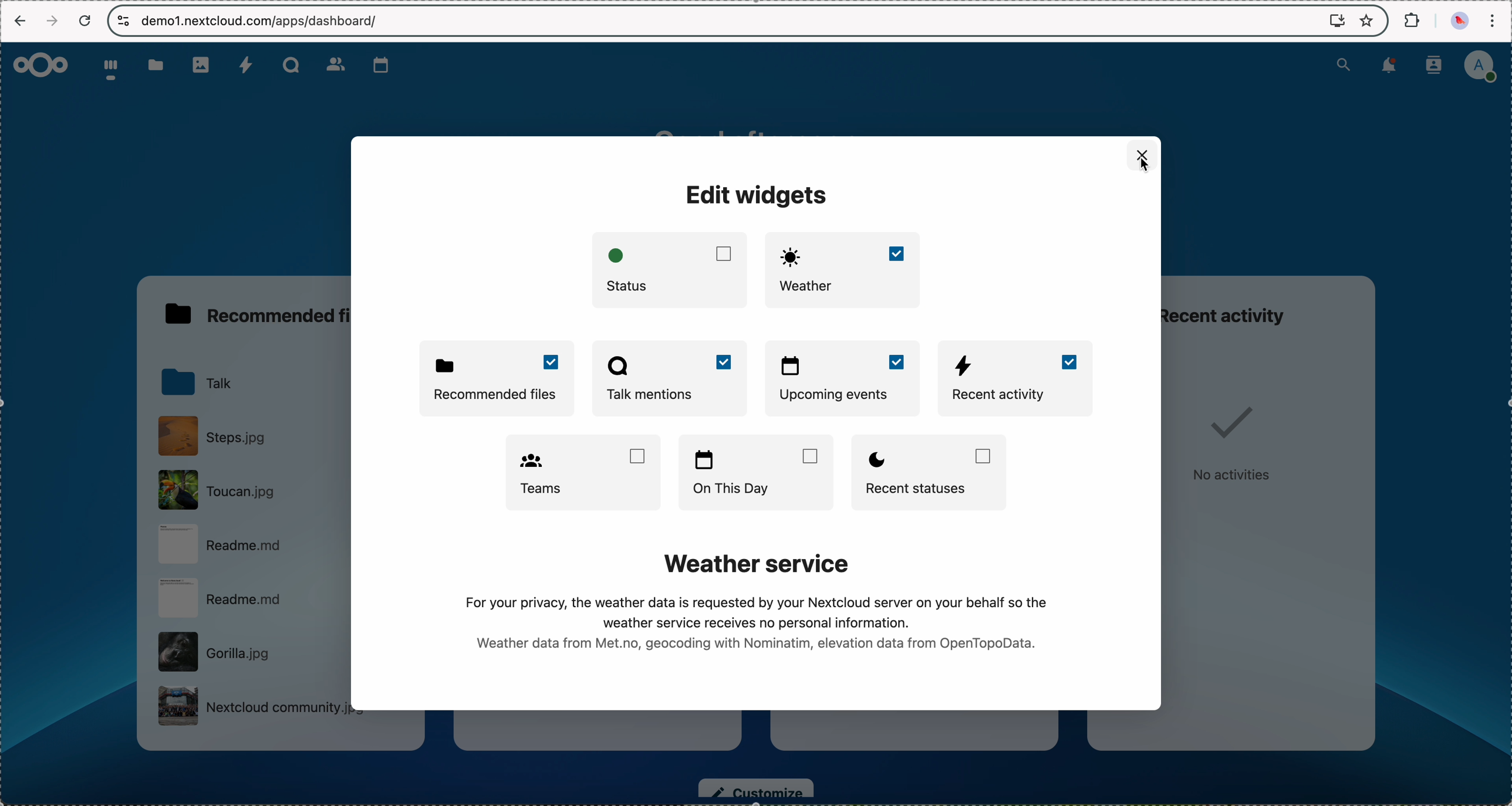 The image size is (1512, 806). What do you see at coordinates (498, 376) in the screenshot?
I see `enable recommended files` at bounding box center [498, 376].